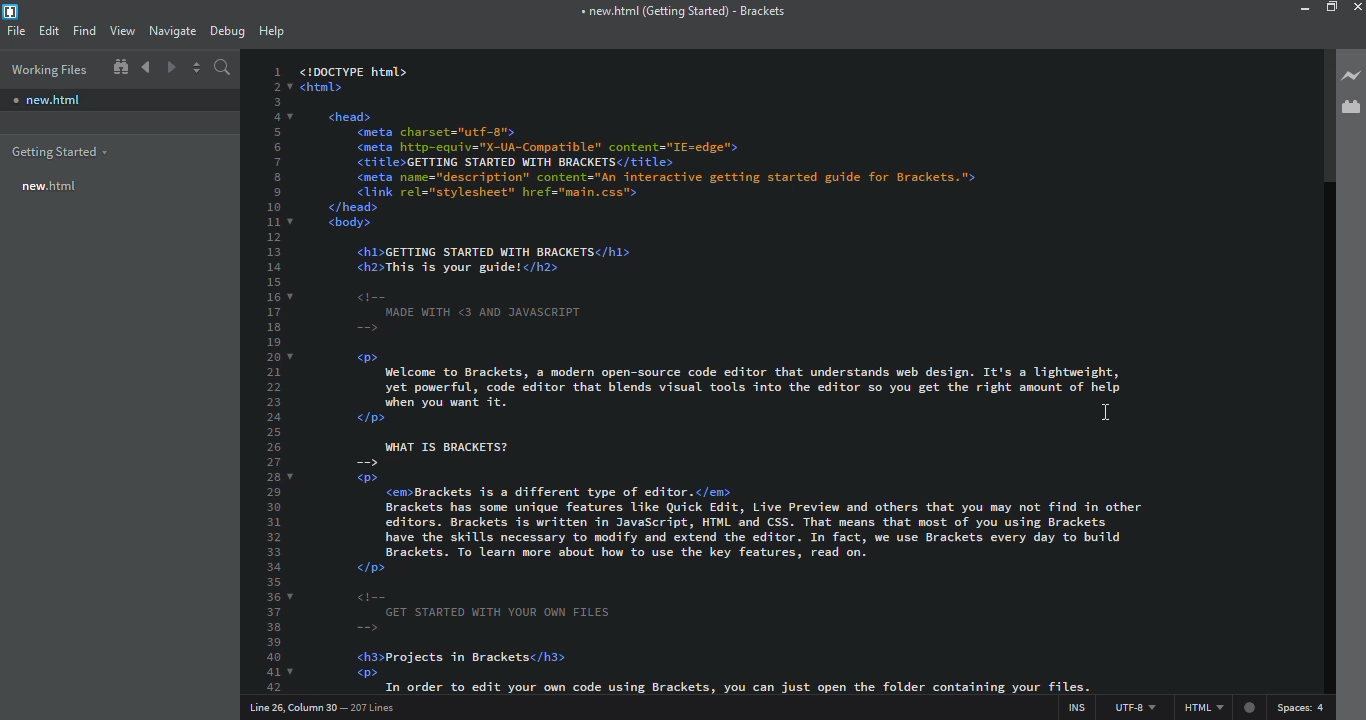 The height and width of the screenshot is (720, 1366). What do you see at coordinates (1104, 413) in the screenshot?
I see `cursor` at bounding box center [1104, 413].